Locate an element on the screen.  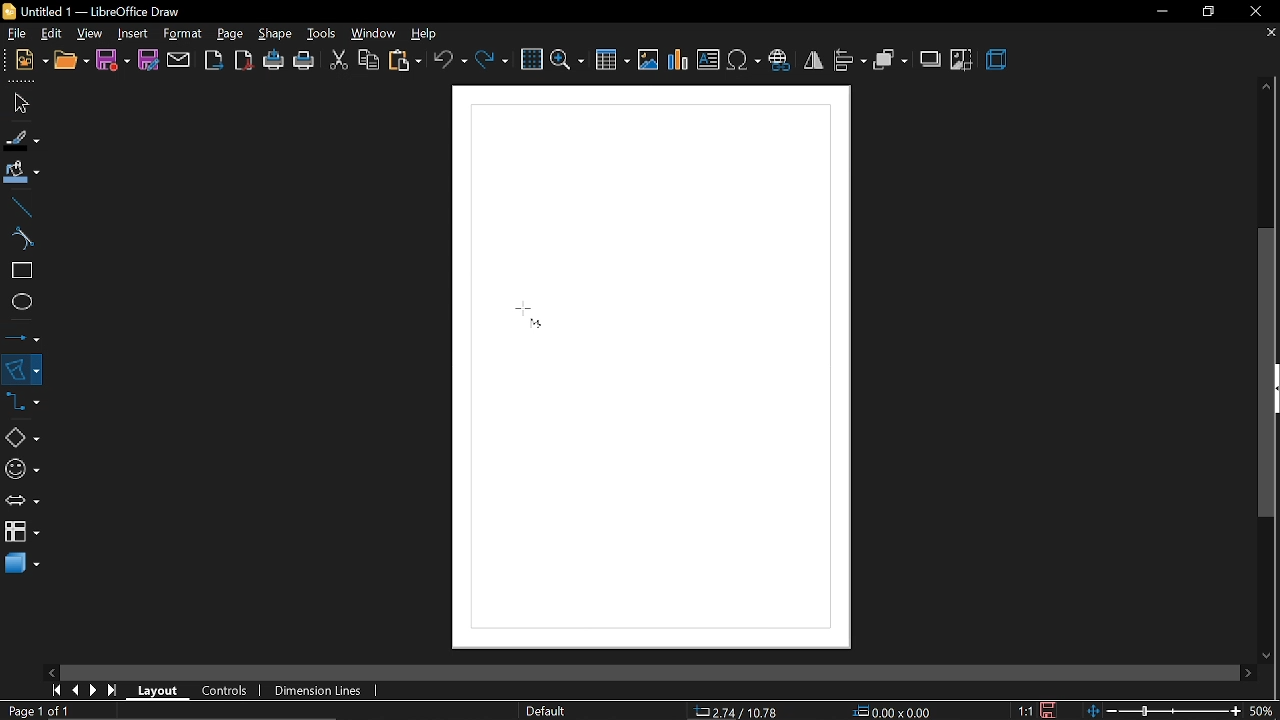
logo Libre is located at coordinates (11, 12).